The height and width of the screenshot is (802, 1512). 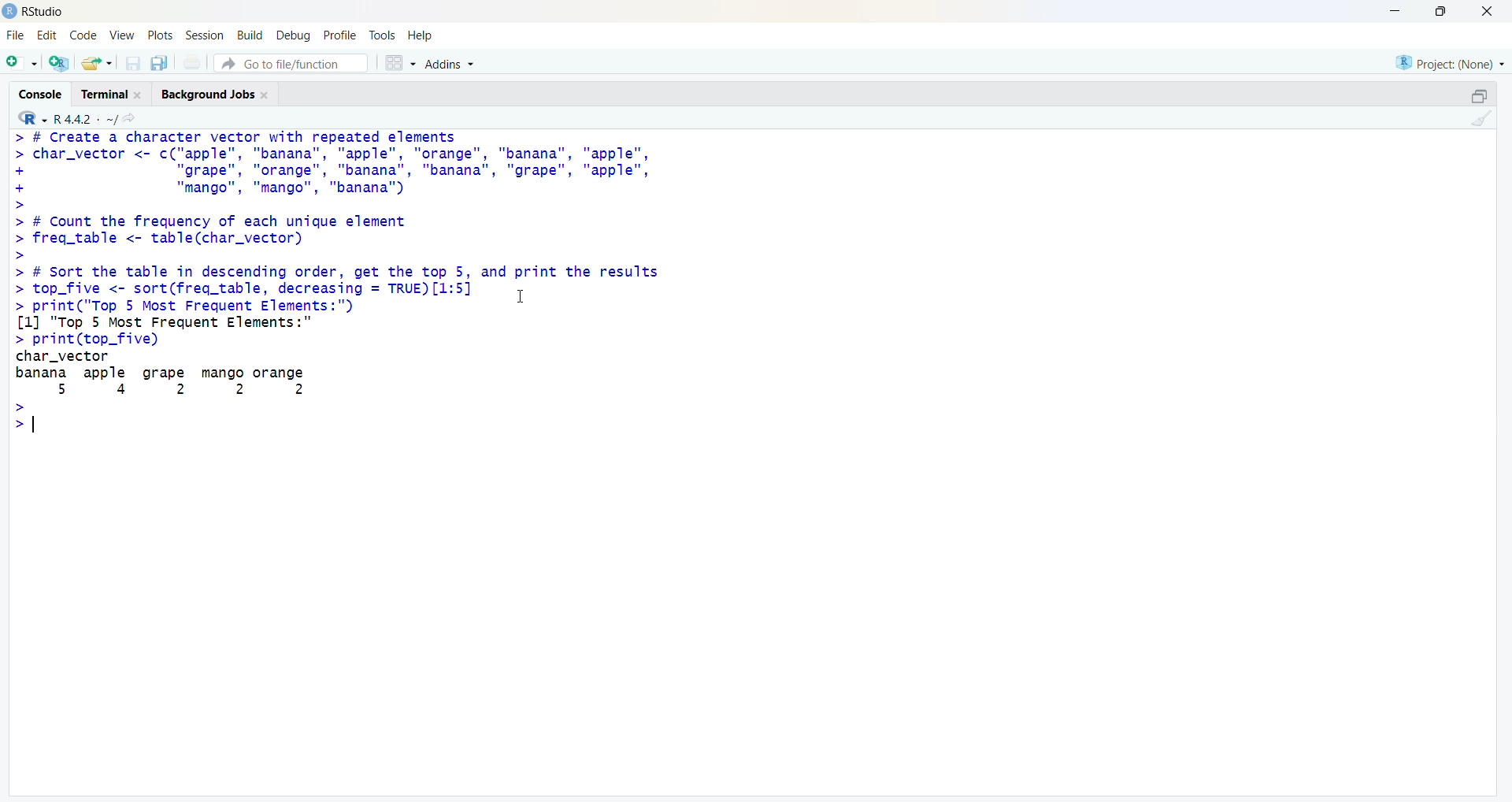 What do you see at coordinates (215, 93) in the screenshot?
I see `Background Jobs` at bounding box center [215, 93].